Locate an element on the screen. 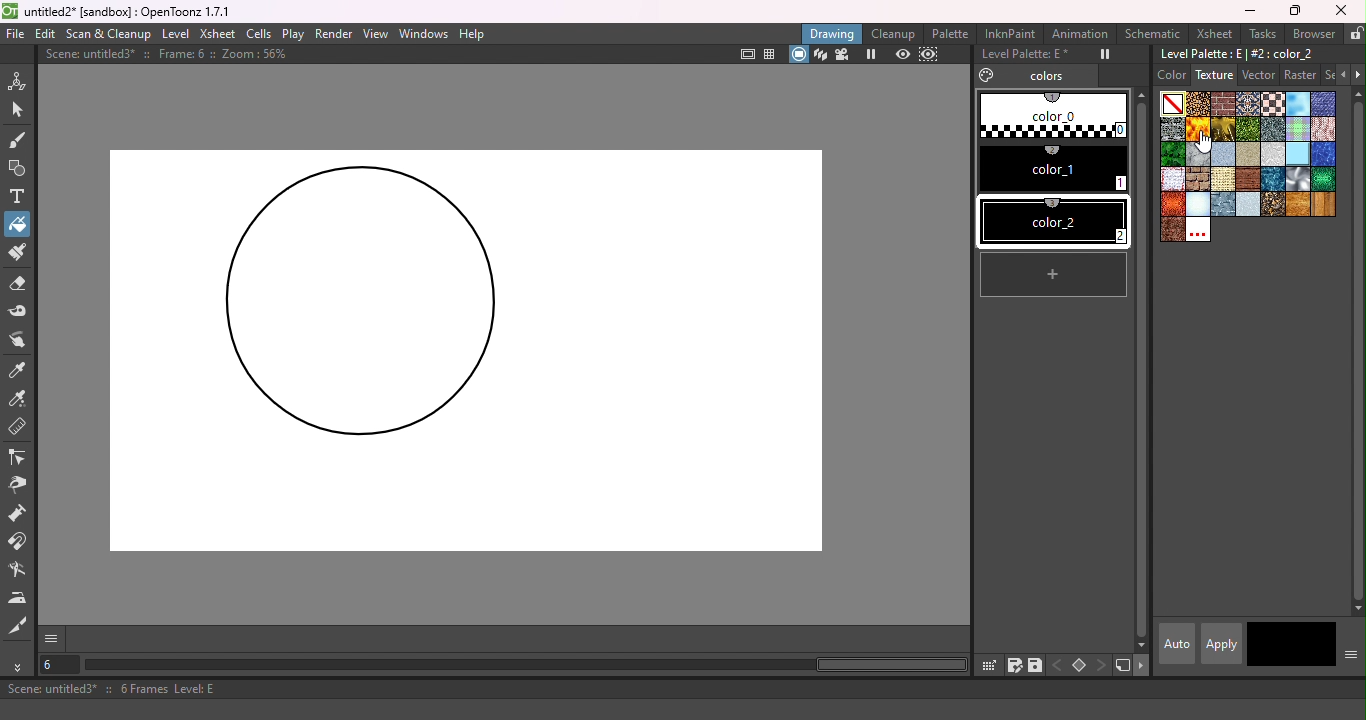 The width and height of the screenshot is (1366, 720). return to previous style is located at coordinates (1311, 644).